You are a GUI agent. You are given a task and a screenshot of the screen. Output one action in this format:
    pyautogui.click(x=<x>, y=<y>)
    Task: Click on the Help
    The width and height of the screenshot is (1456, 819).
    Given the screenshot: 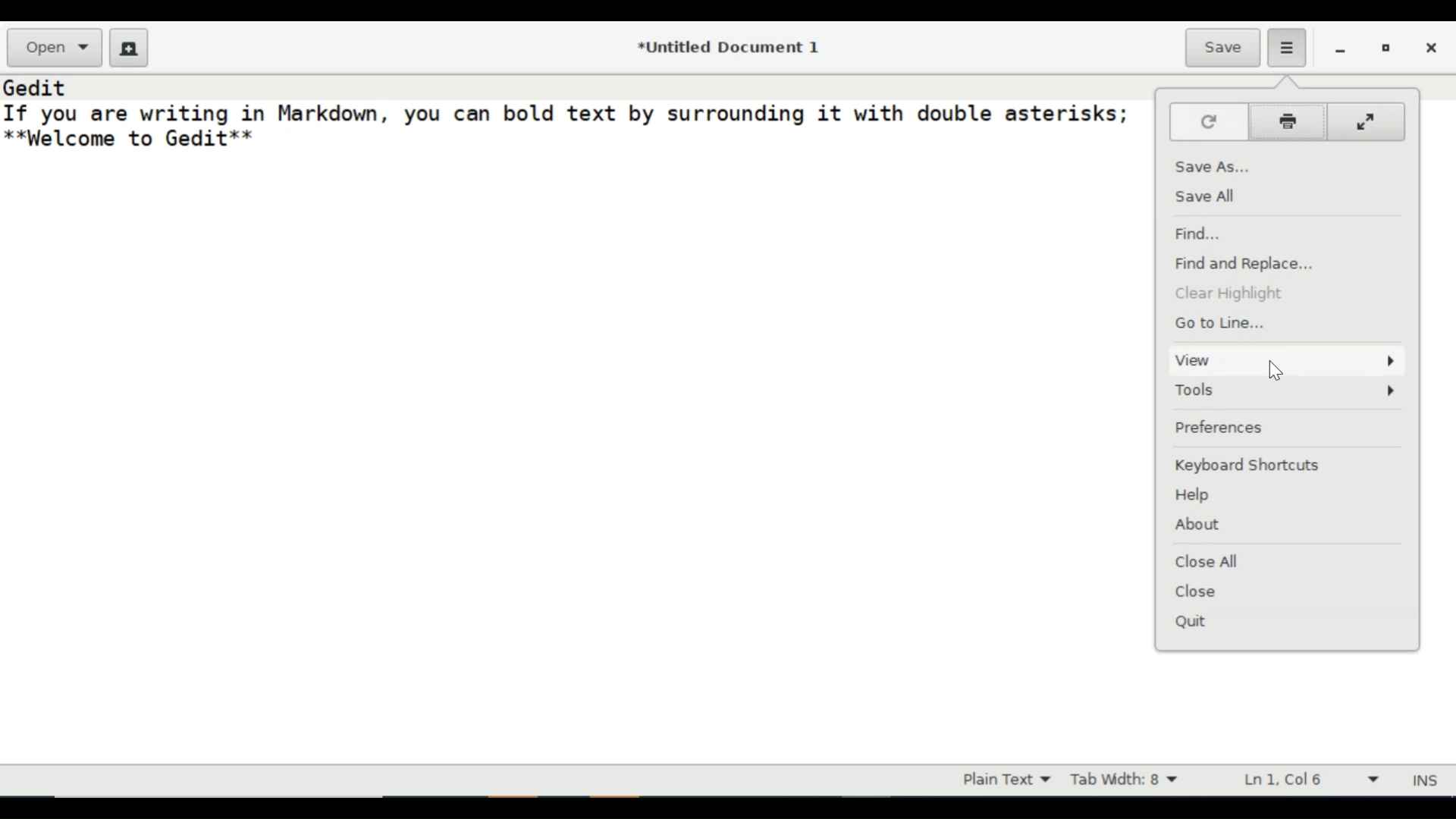 What is the action you would take?
    pyautogui.click(x=1210, y=494)
    